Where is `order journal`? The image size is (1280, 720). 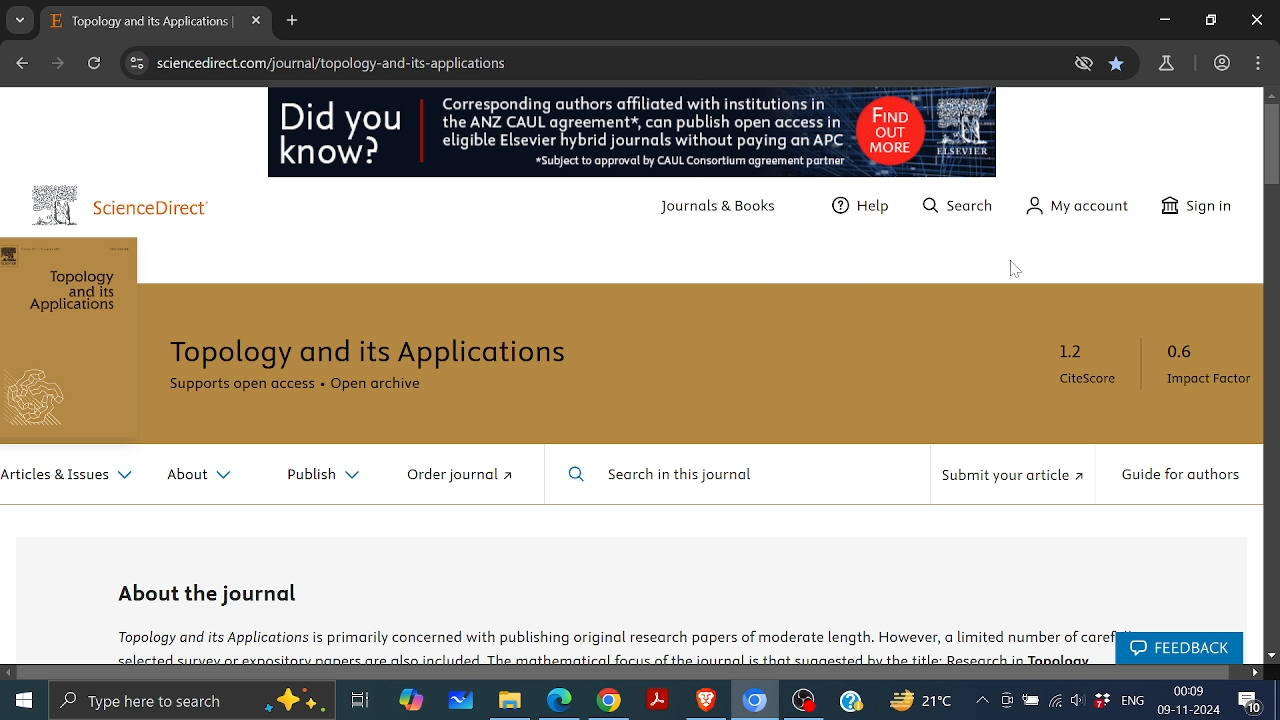 order journal is located at coordinates (470, 477).